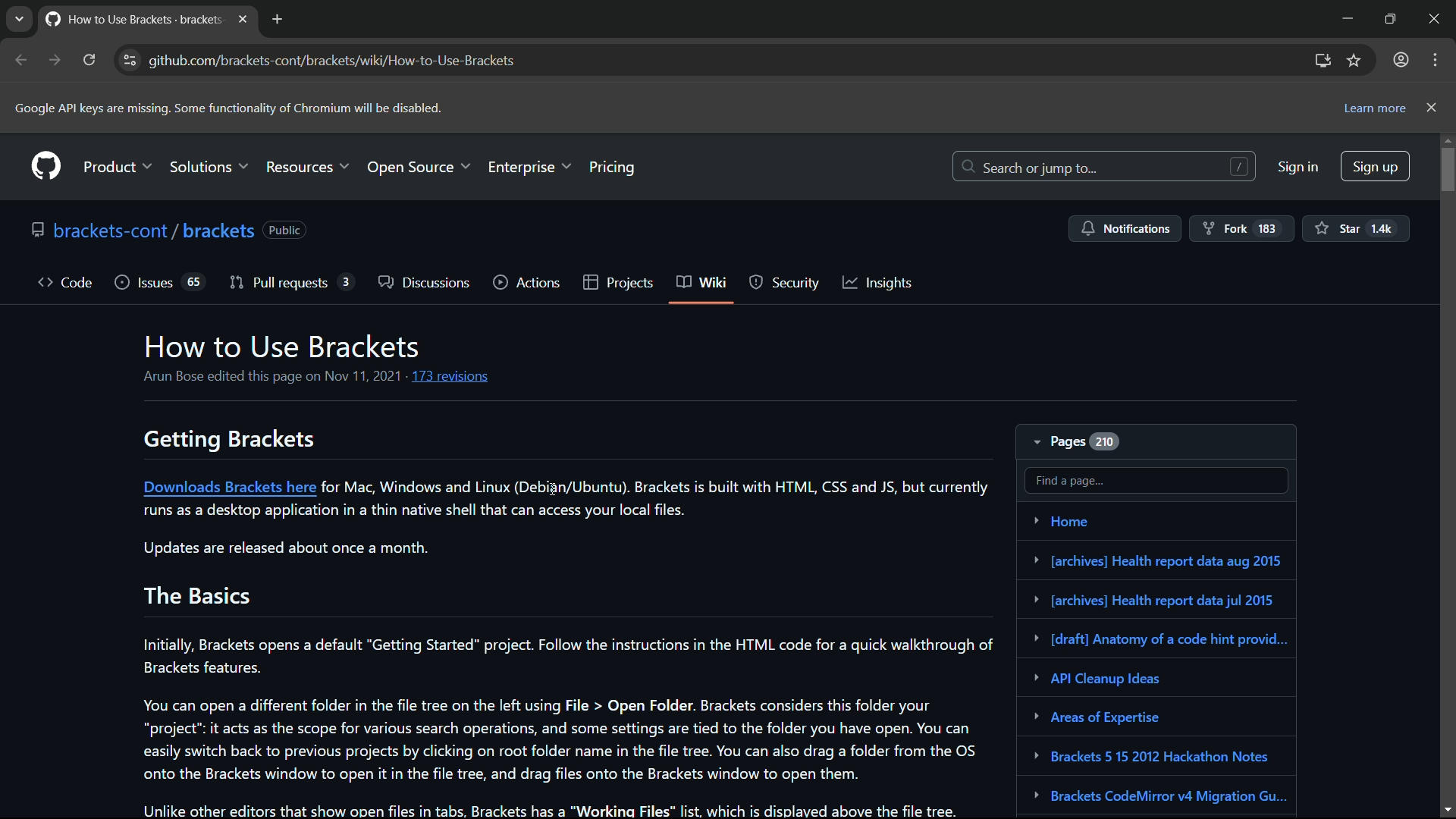 This screenshot has width=1456, height=819. What do you see at coordinates (333, 61) in the screenshot?
I see `github.com/brackets-cont/brackets/wiki/How-to-Use-Brackets` at bounding box center [333, 61].